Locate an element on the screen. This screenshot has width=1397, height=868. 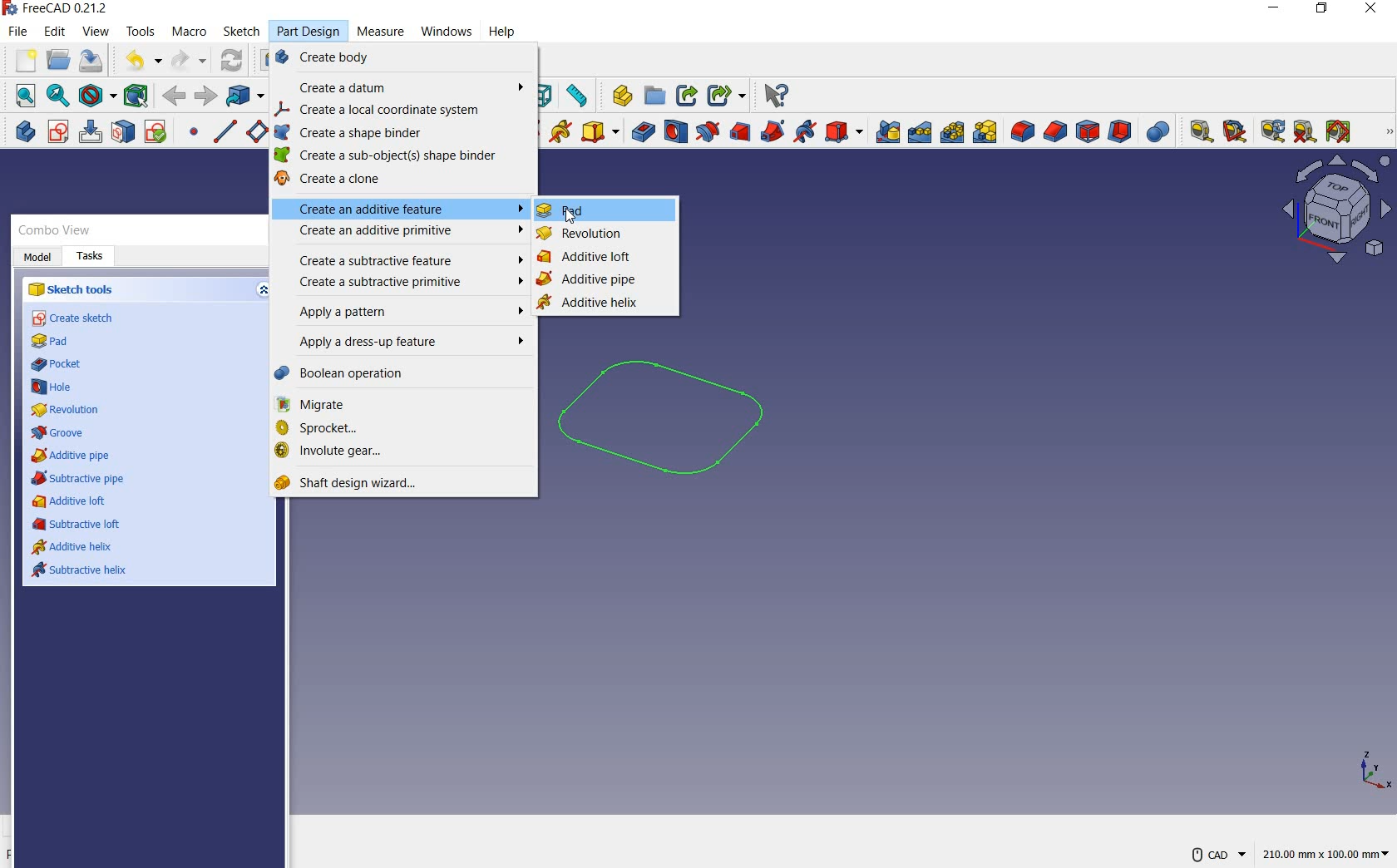
additive loft is located at coordinates (590, 258).